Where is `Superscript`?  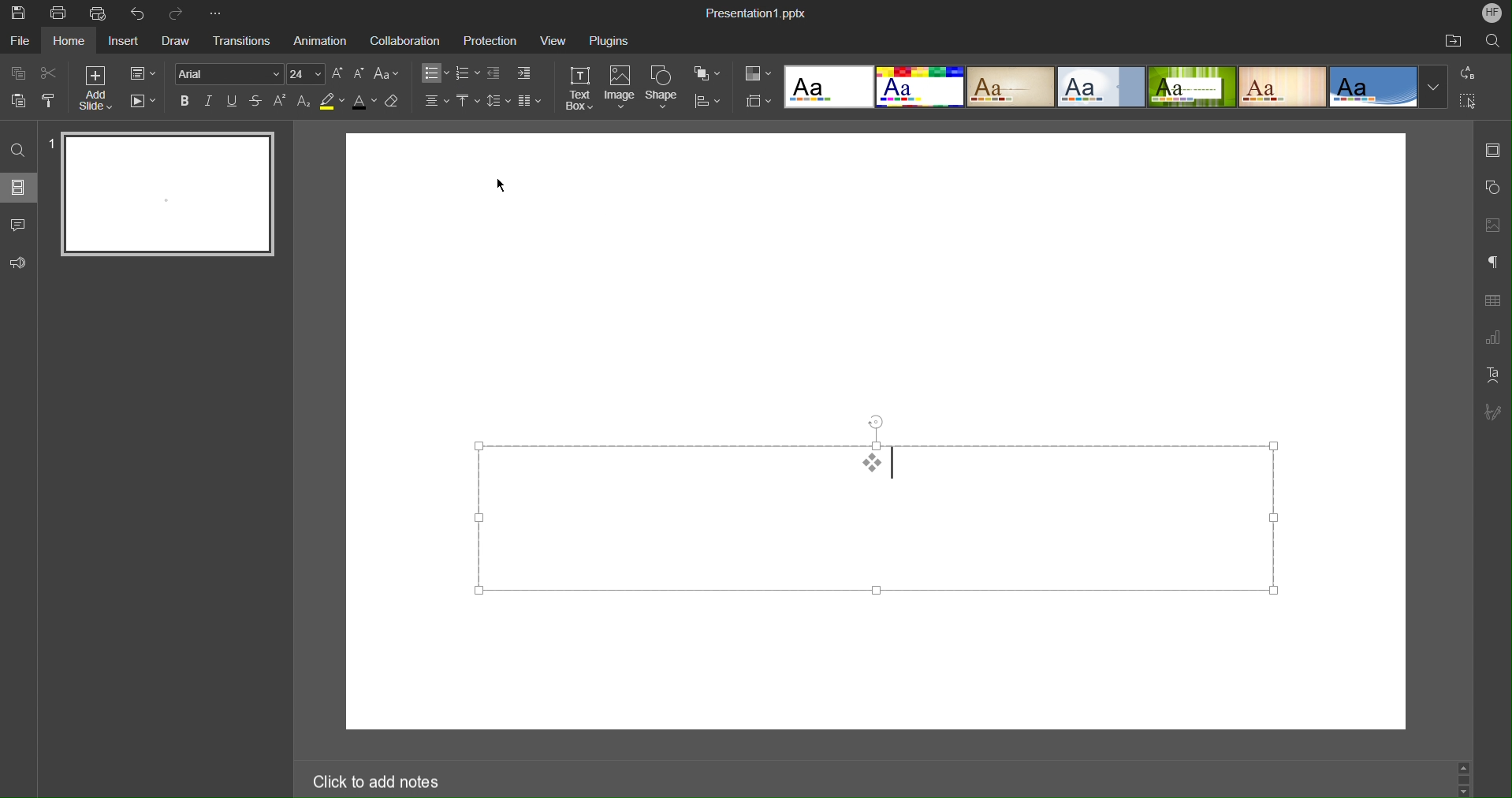
Superscript is located at coordinates (279, 101).